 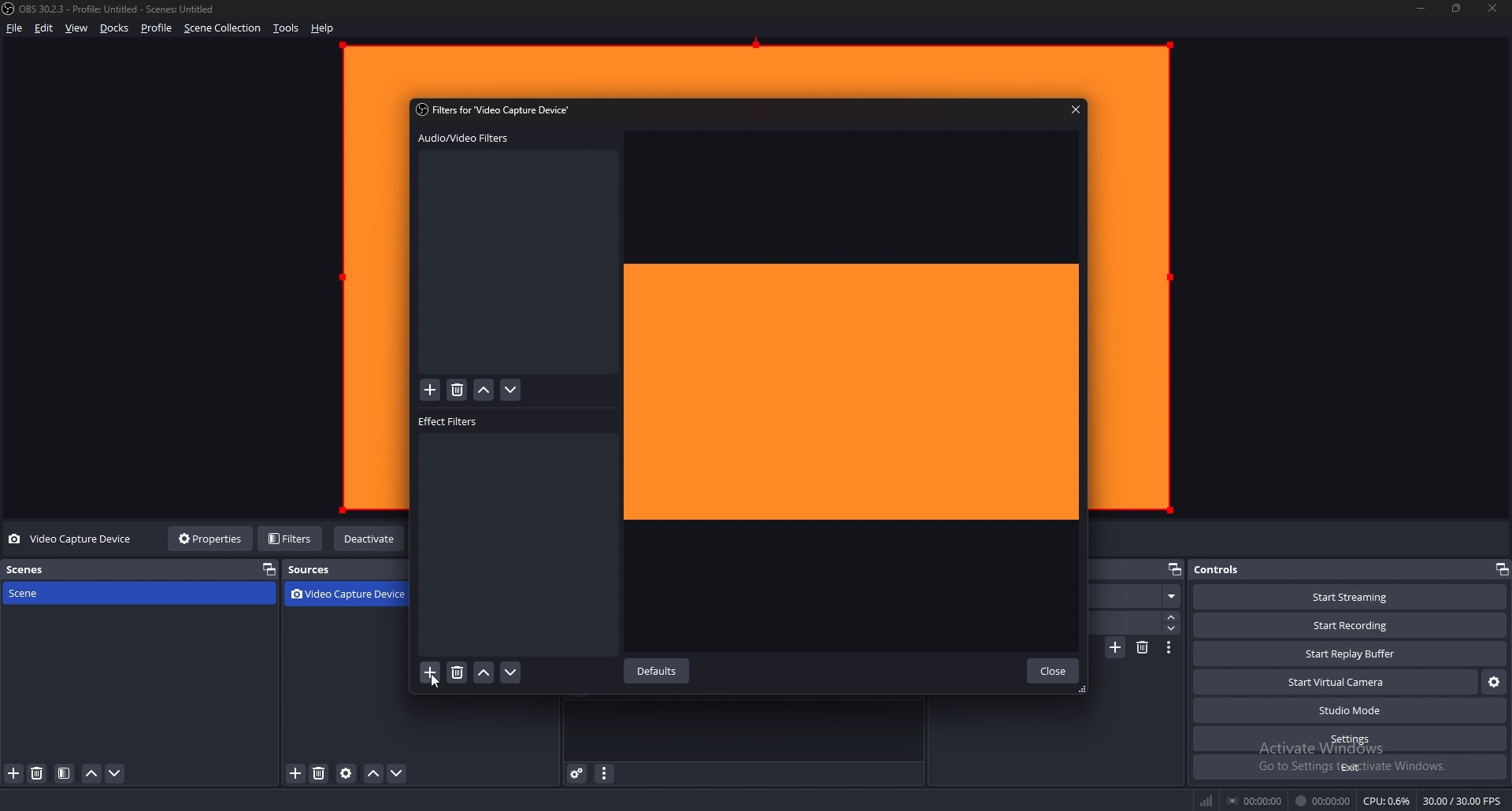 I want to click on video capture device, so click(x=353, y=595).